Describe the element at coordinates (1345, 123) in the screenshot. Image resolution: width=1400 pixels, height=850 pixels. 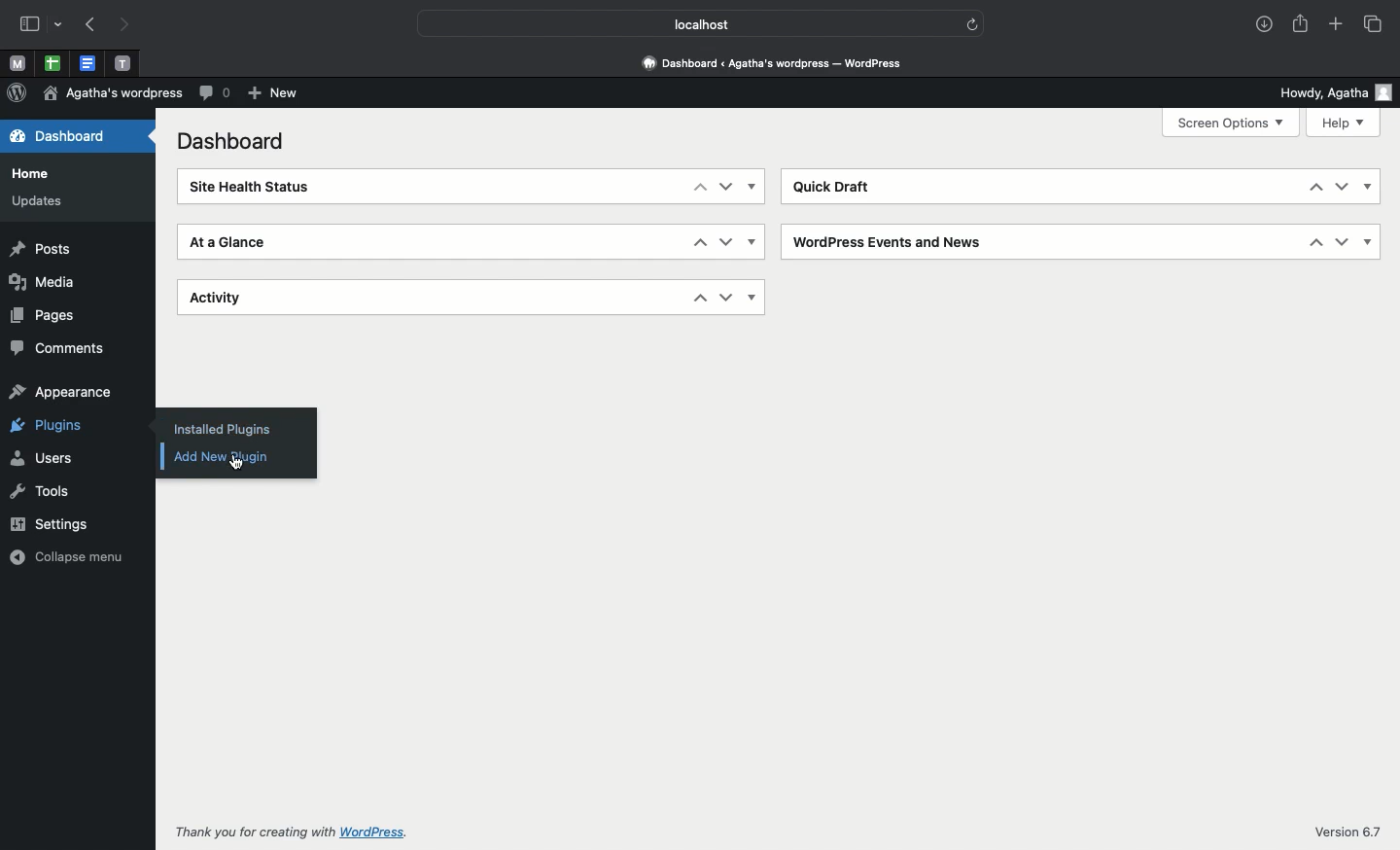
I see `Help` at that location.